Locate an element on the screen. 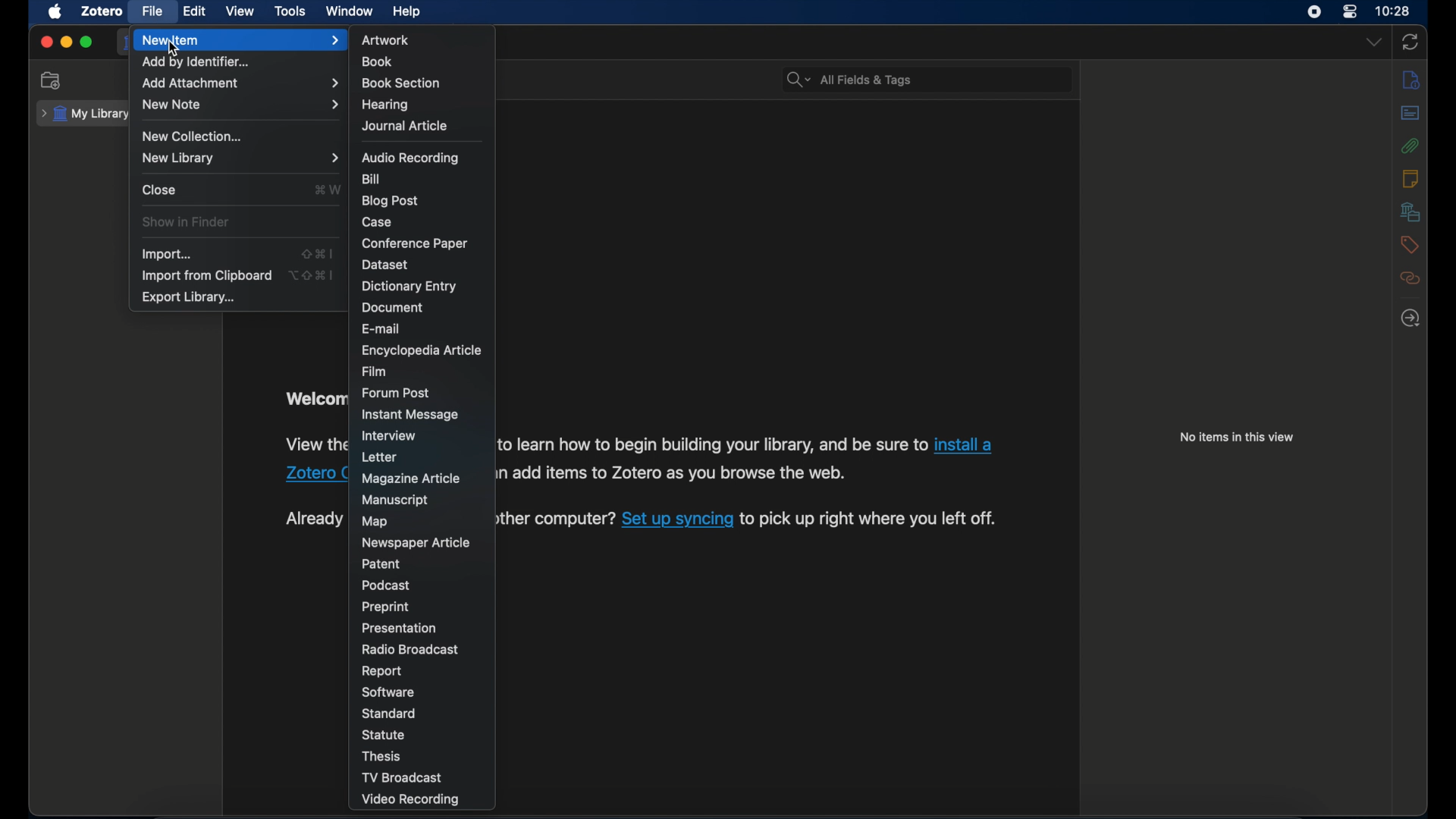 The height and width of the screenshot is (819, 1456). conference paper is located at coordinates (414, 243).